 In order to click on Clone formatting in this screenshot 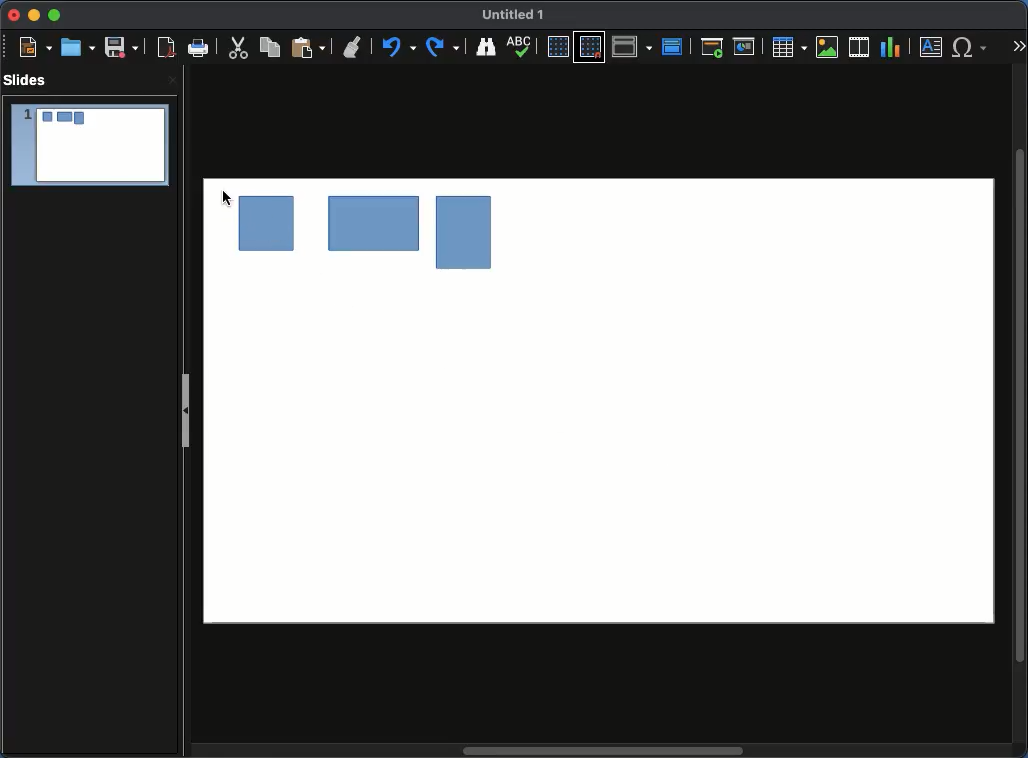, I will do `click(354, 48)`.